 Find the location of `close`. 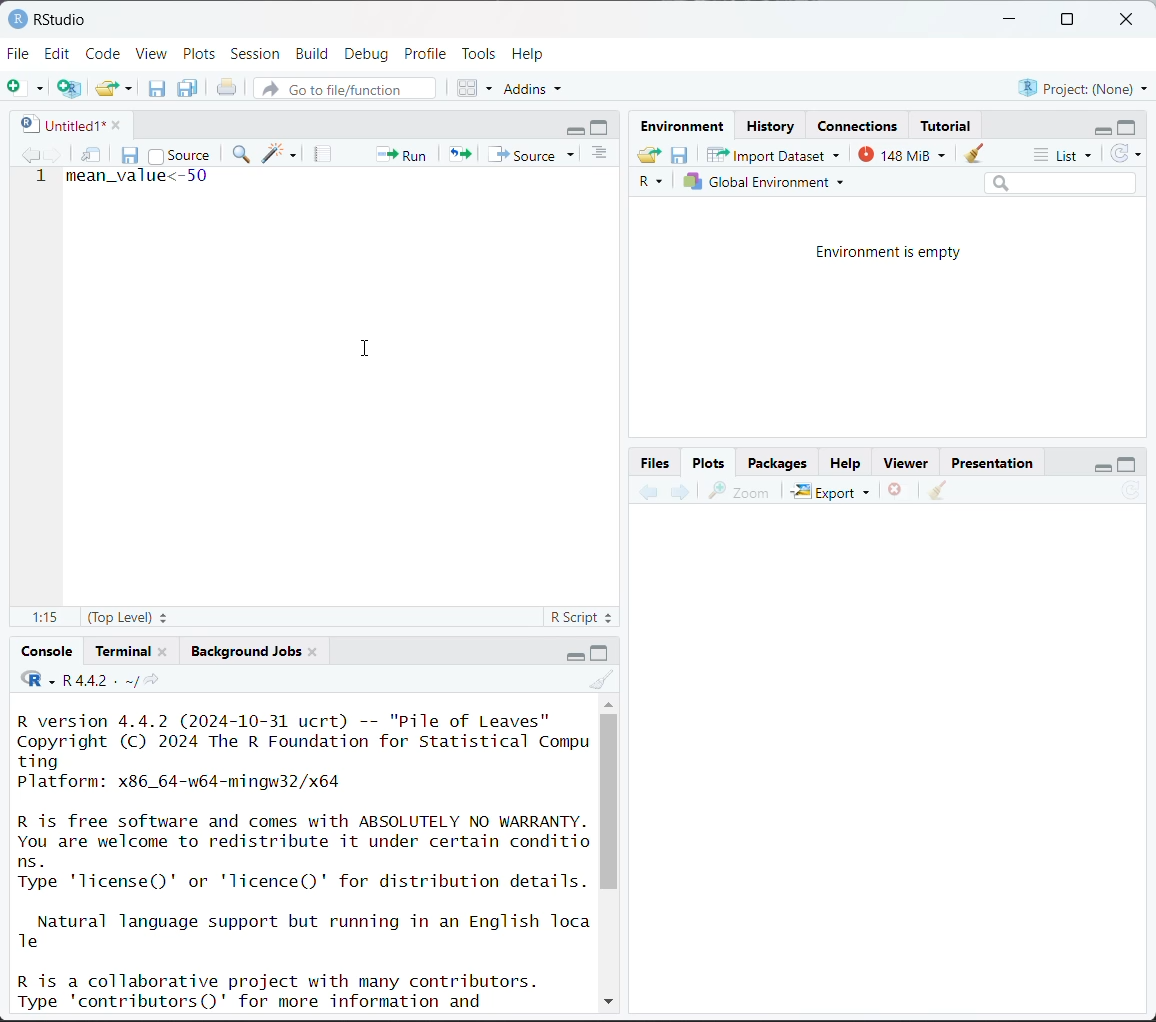

close is located at coordinates (1130, 20).